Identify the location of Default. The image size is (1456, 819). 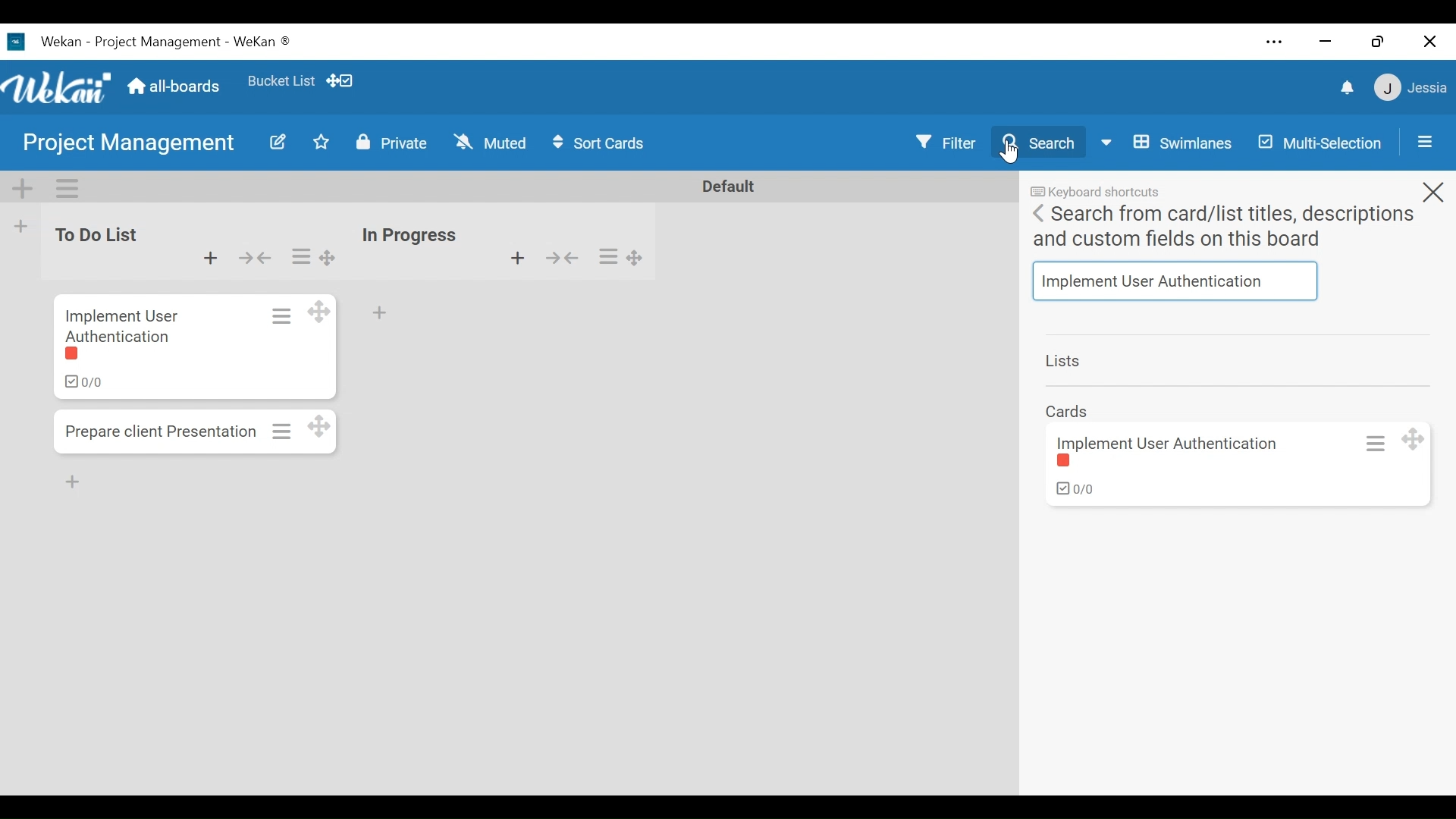
(735, 186).